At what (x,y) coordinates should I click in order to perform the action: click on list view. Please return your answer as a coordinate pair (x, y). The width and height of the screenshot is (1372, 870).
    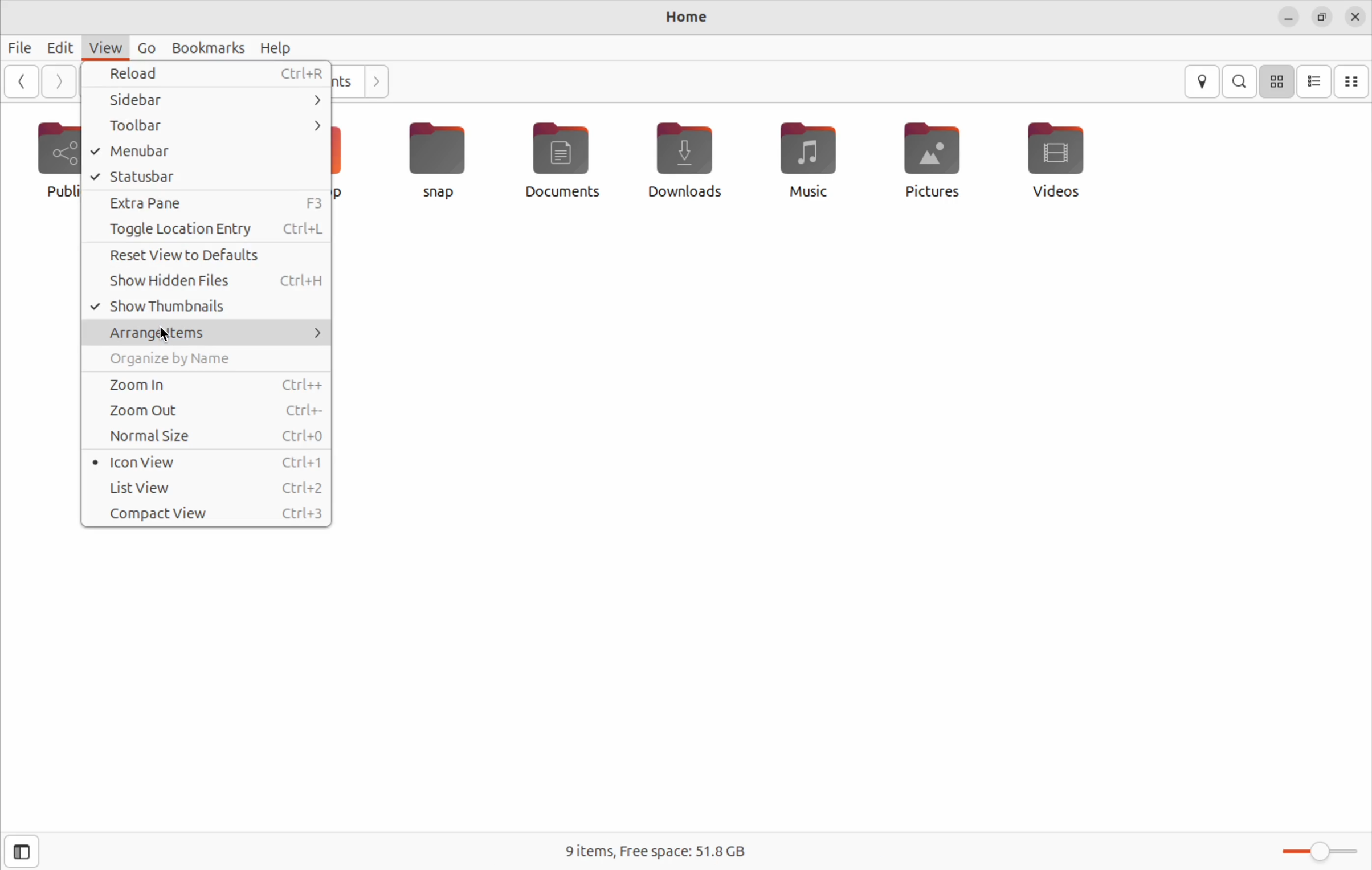
    Looking at the image, I should click on (206, 486).